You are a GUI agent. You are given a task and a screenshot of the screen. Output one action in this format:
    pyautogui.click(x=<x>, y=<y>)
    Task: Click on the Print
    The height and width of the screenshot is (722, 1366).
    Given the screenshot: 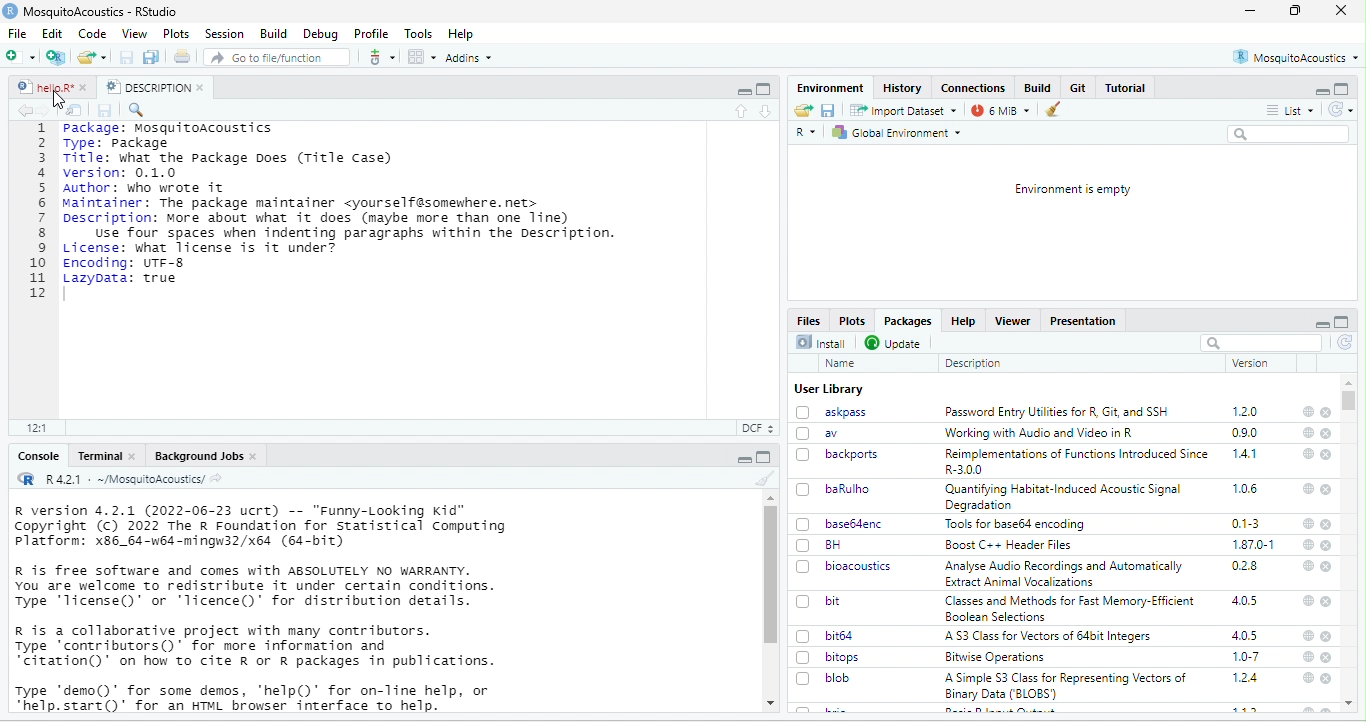 What is the action you would take?
    pyautogui.click(x=183, y=56)
    